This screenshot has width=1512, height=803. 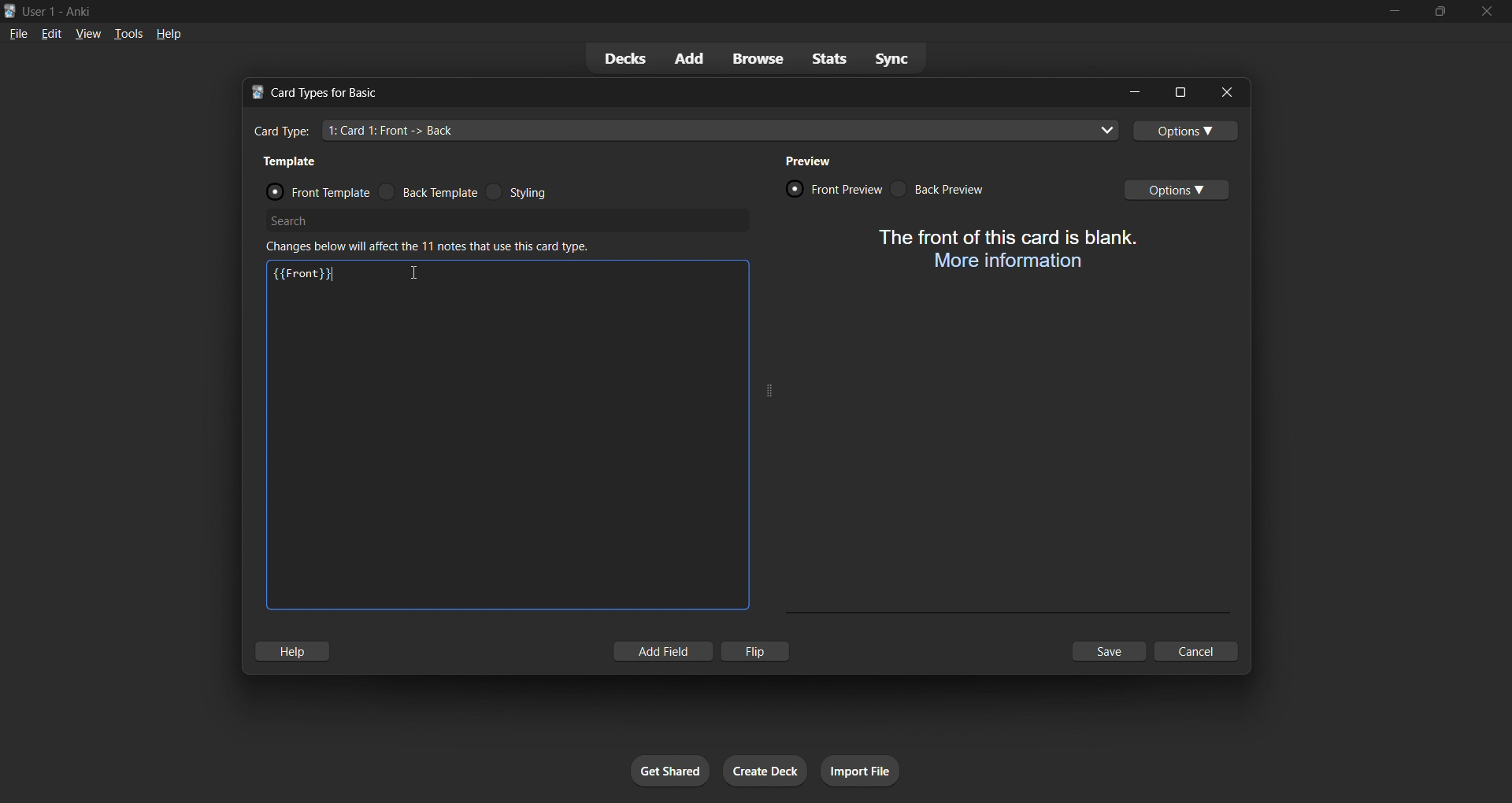 I want to click on add, so click(x=685, y=56).